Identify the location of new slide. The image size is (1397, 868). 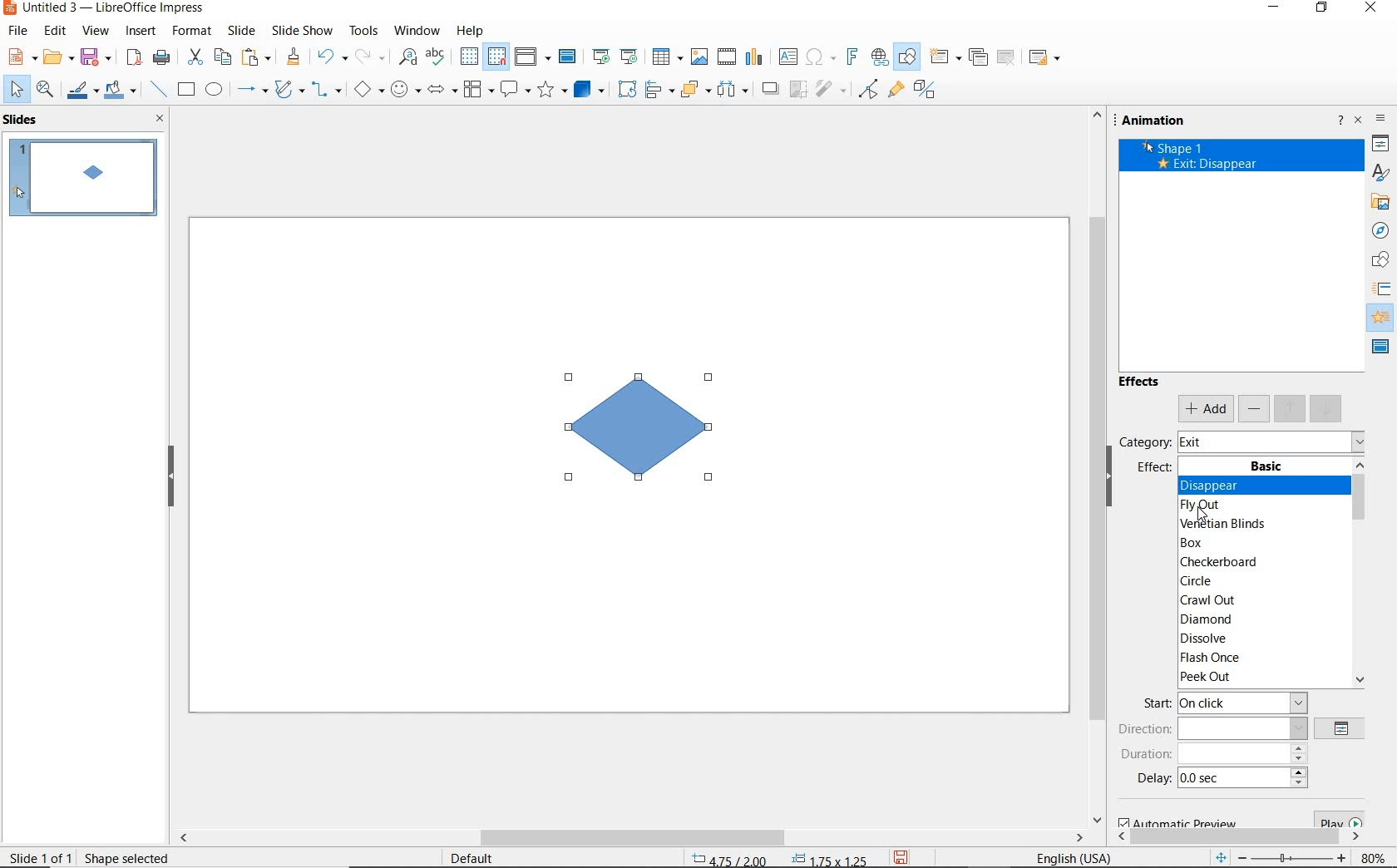
(944, 57).